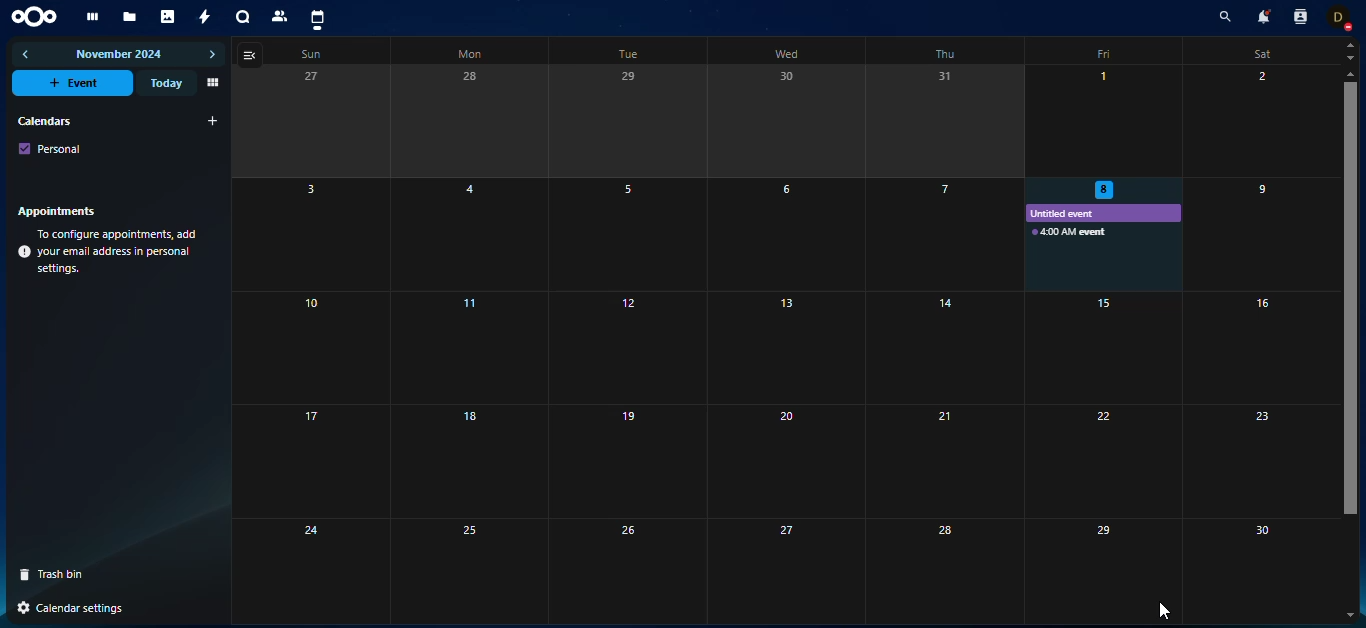 The image size is (1366, 628). Describe the element at coordinates (283, 567) in the screenshot. I see `24` at that location.